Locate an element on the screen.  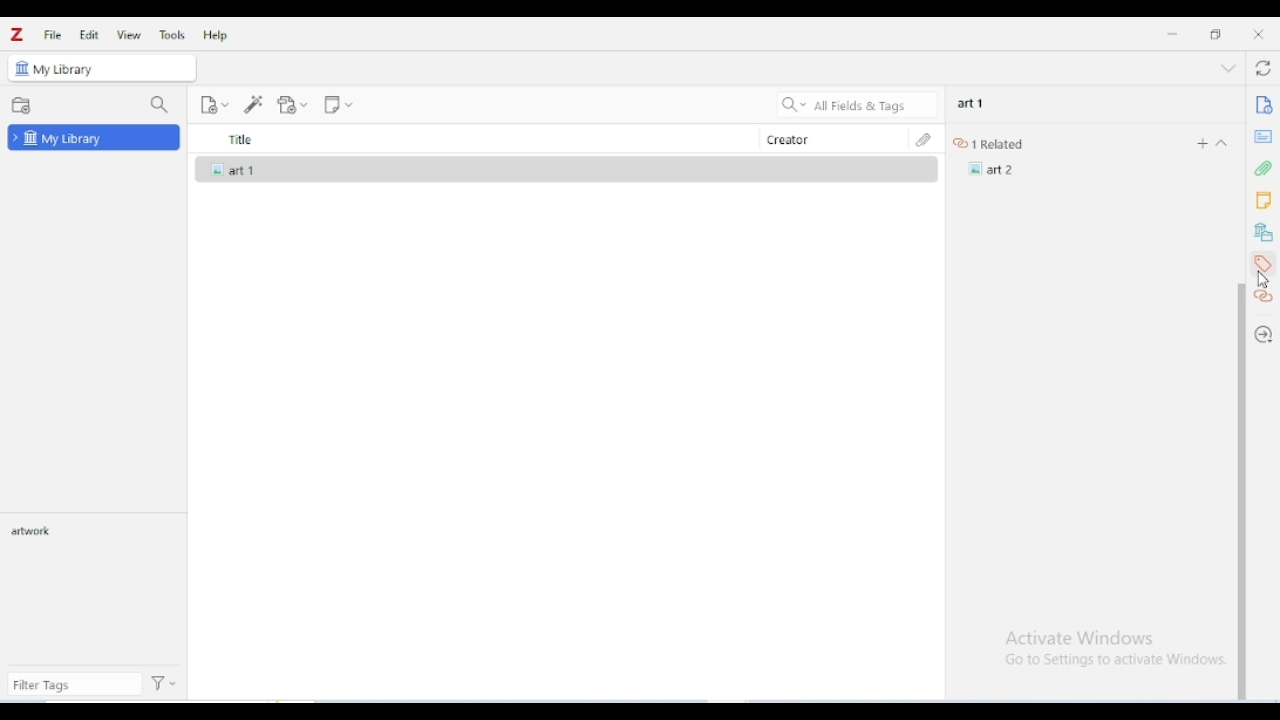
attachments is located at coordinates (925, 139).